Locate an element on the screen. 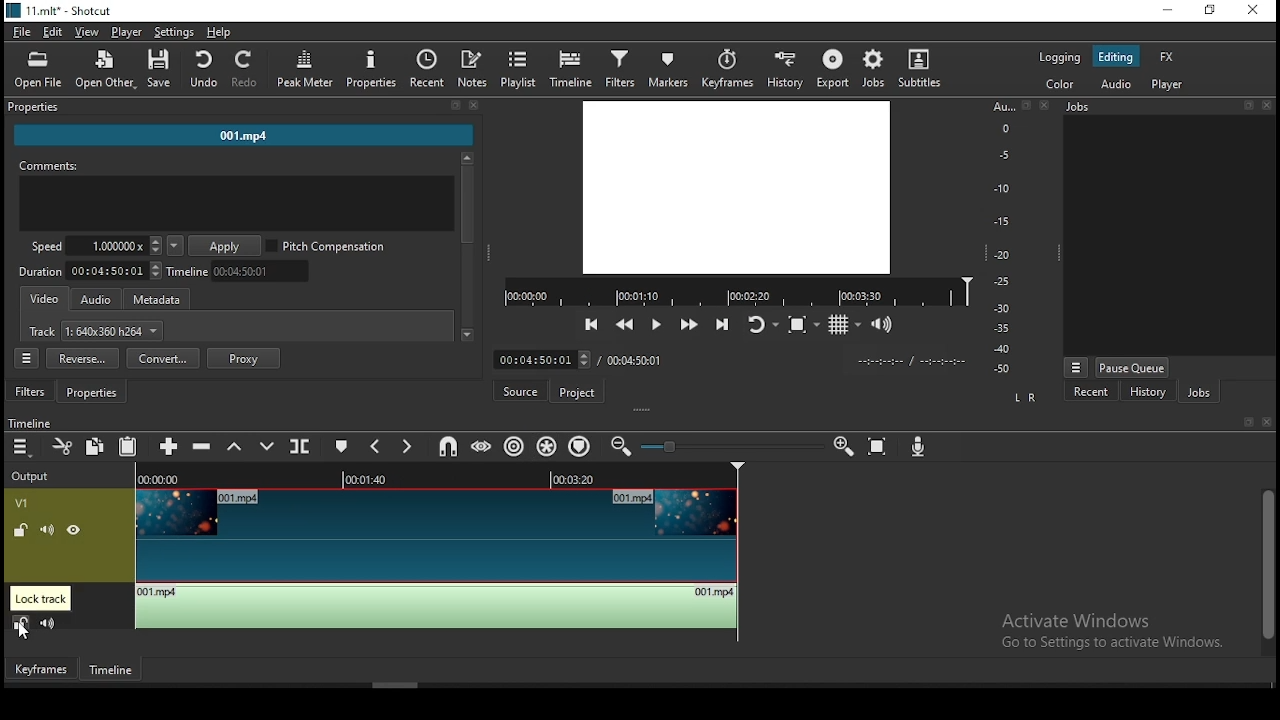 This screenshot has height=720, width=1280. scrub while dragging is located at coordinates (480, 447).